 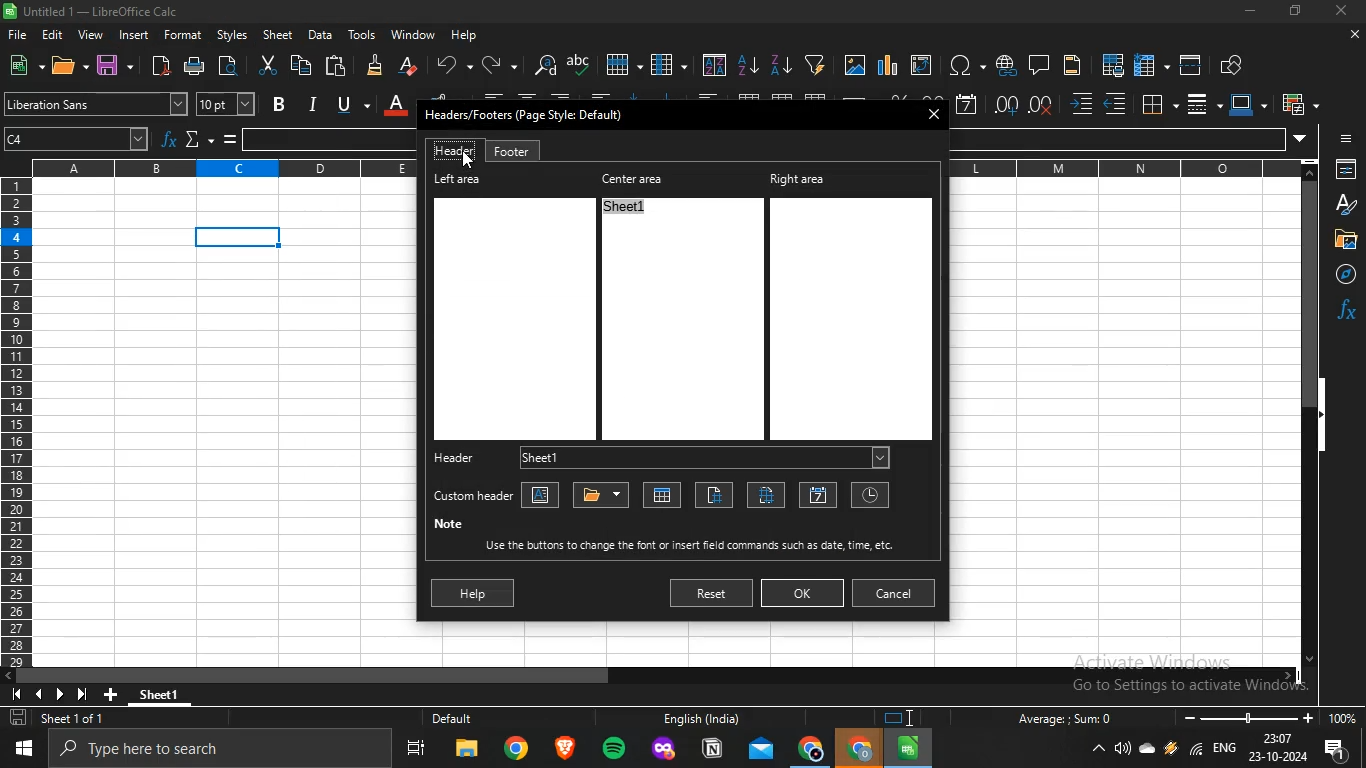 What do you see at coordinates (1113, 64) in the screenshot?
I see `define print area` at bounding box center [1113, 64].